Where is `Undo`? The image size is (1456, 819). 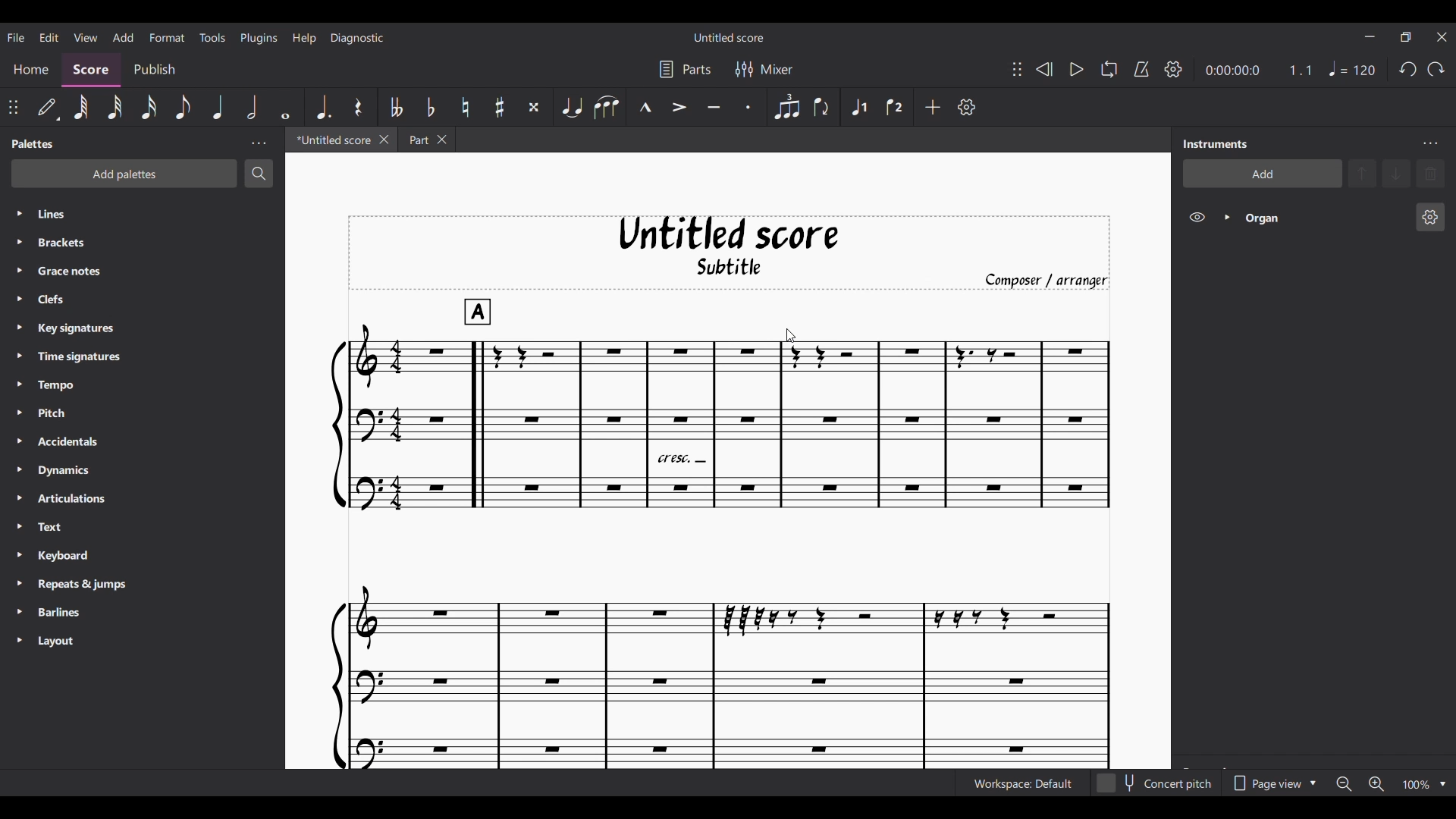
Undo is located at coordinates (1408, 69).